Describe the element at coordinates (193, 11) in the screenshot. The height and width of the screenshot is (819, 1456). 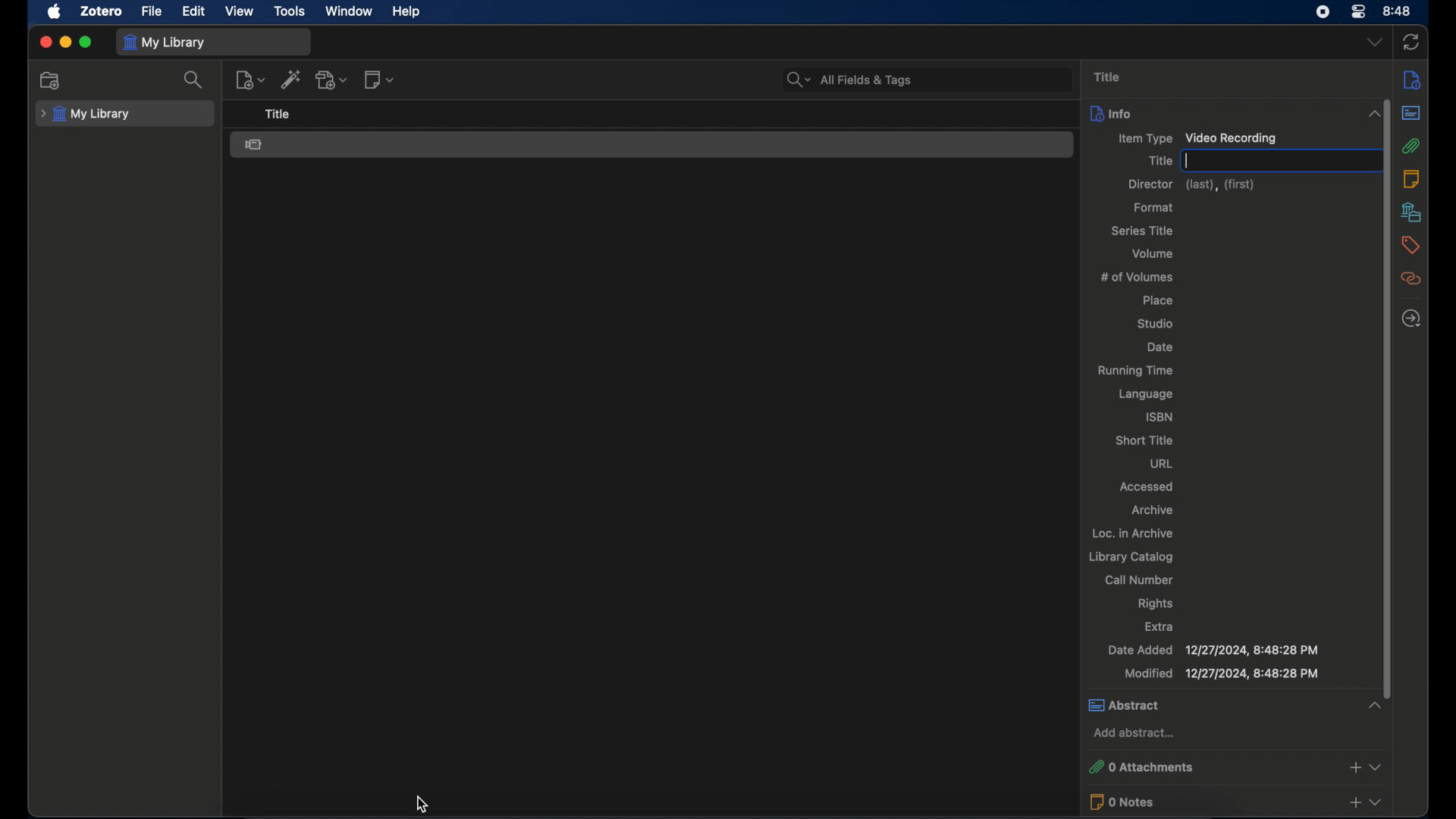
I see `edit` at that location.